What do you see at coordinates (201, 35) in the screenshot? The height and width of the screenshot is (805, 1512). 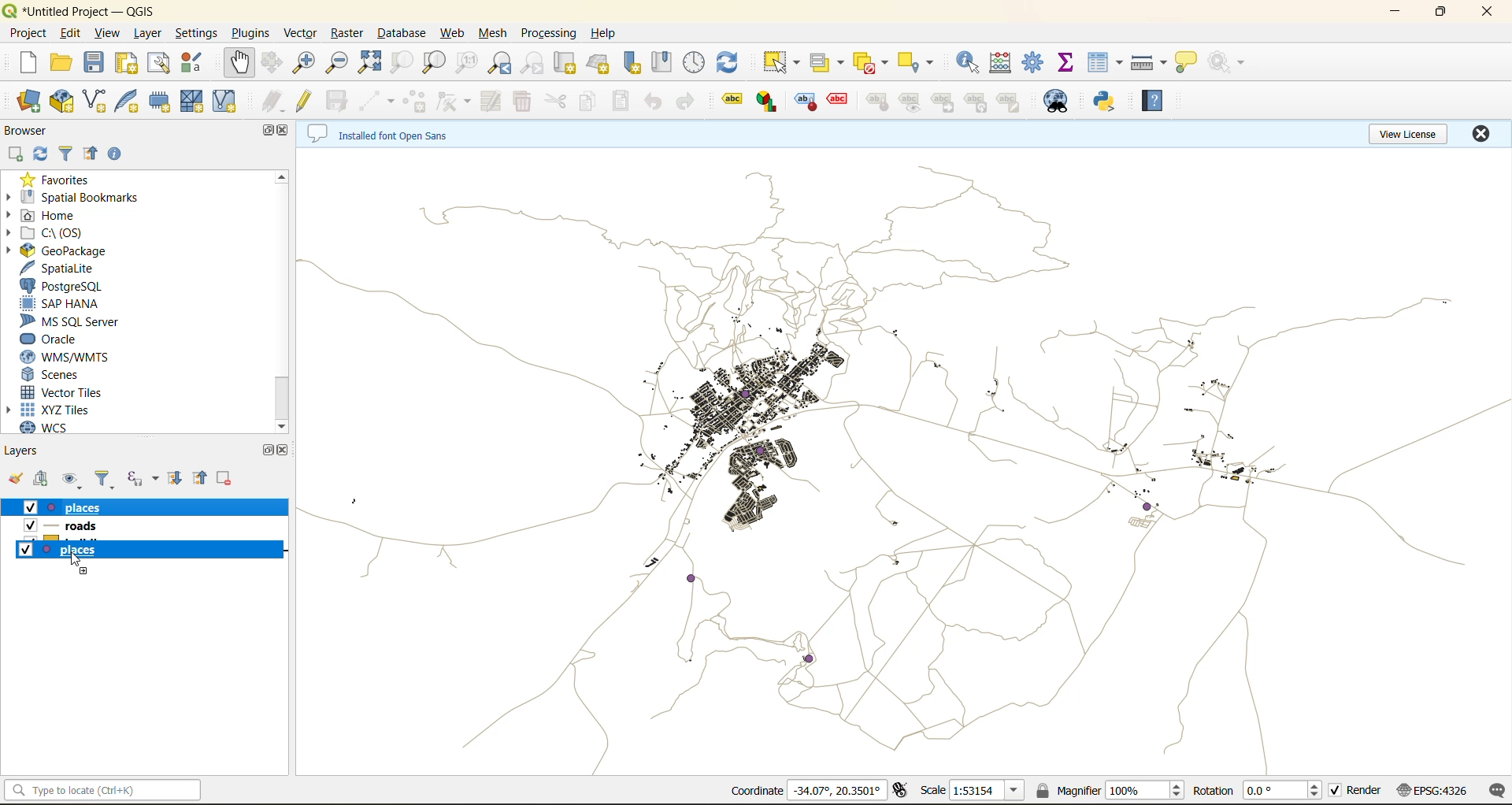 I see `settings` at bounding box center [201, 35].